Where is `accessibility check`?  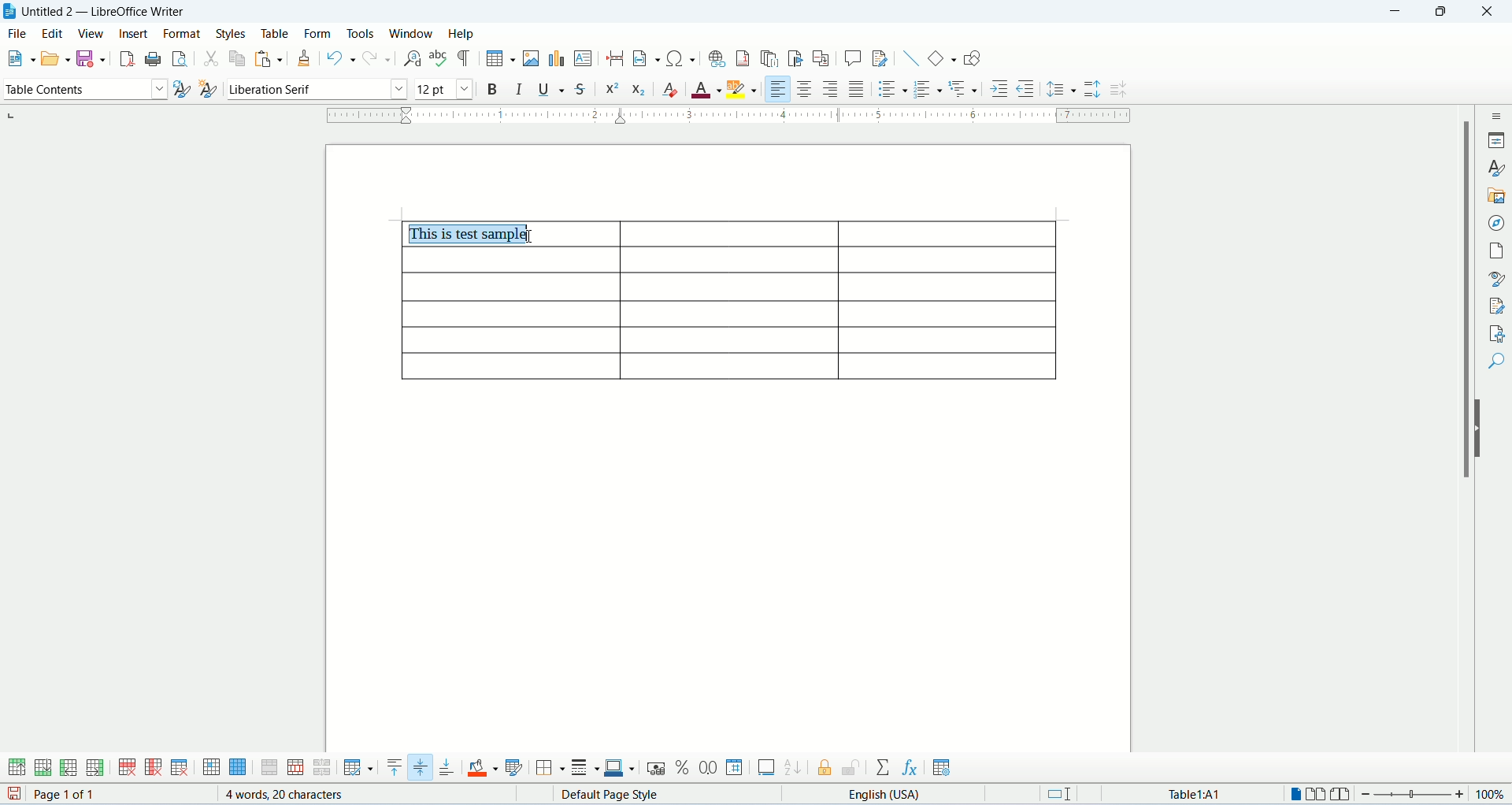
accessibility check is located at coordinates (1498, 332).